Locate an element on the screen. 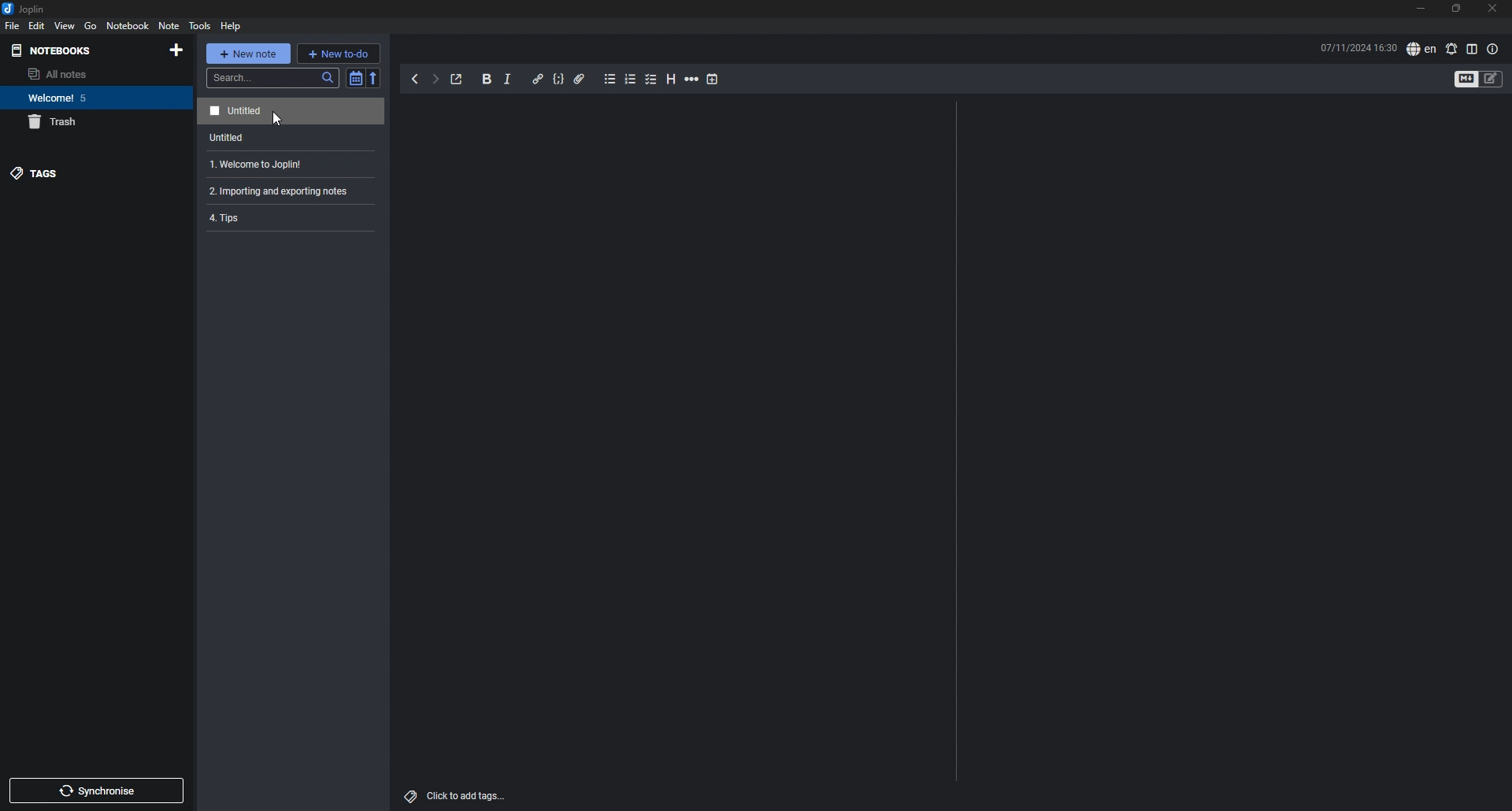  attachment is located at coordinates (580, 79).